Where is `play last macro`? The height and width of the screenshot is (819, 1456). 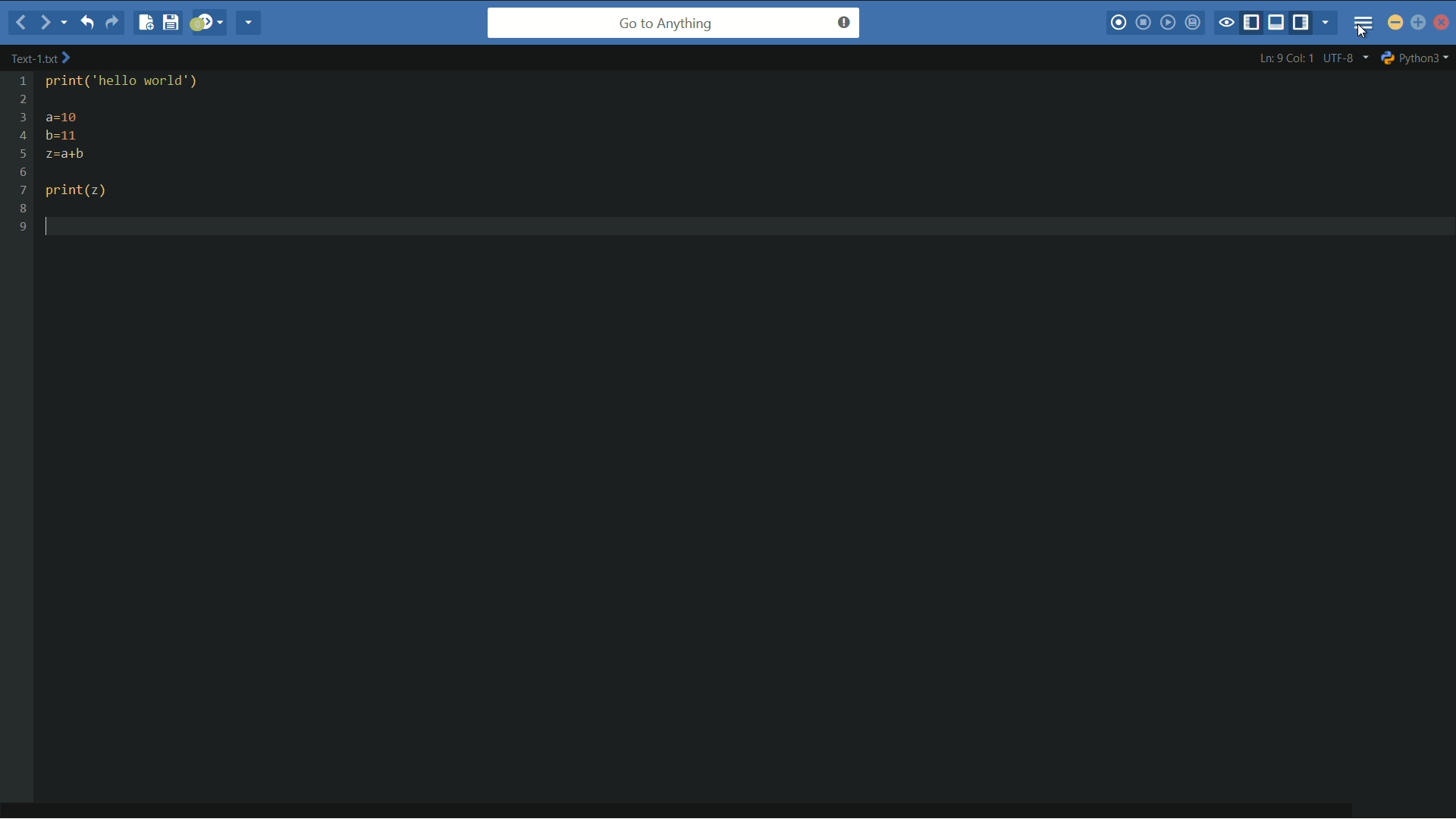 play last macro is located at coordinates (1170, 24).